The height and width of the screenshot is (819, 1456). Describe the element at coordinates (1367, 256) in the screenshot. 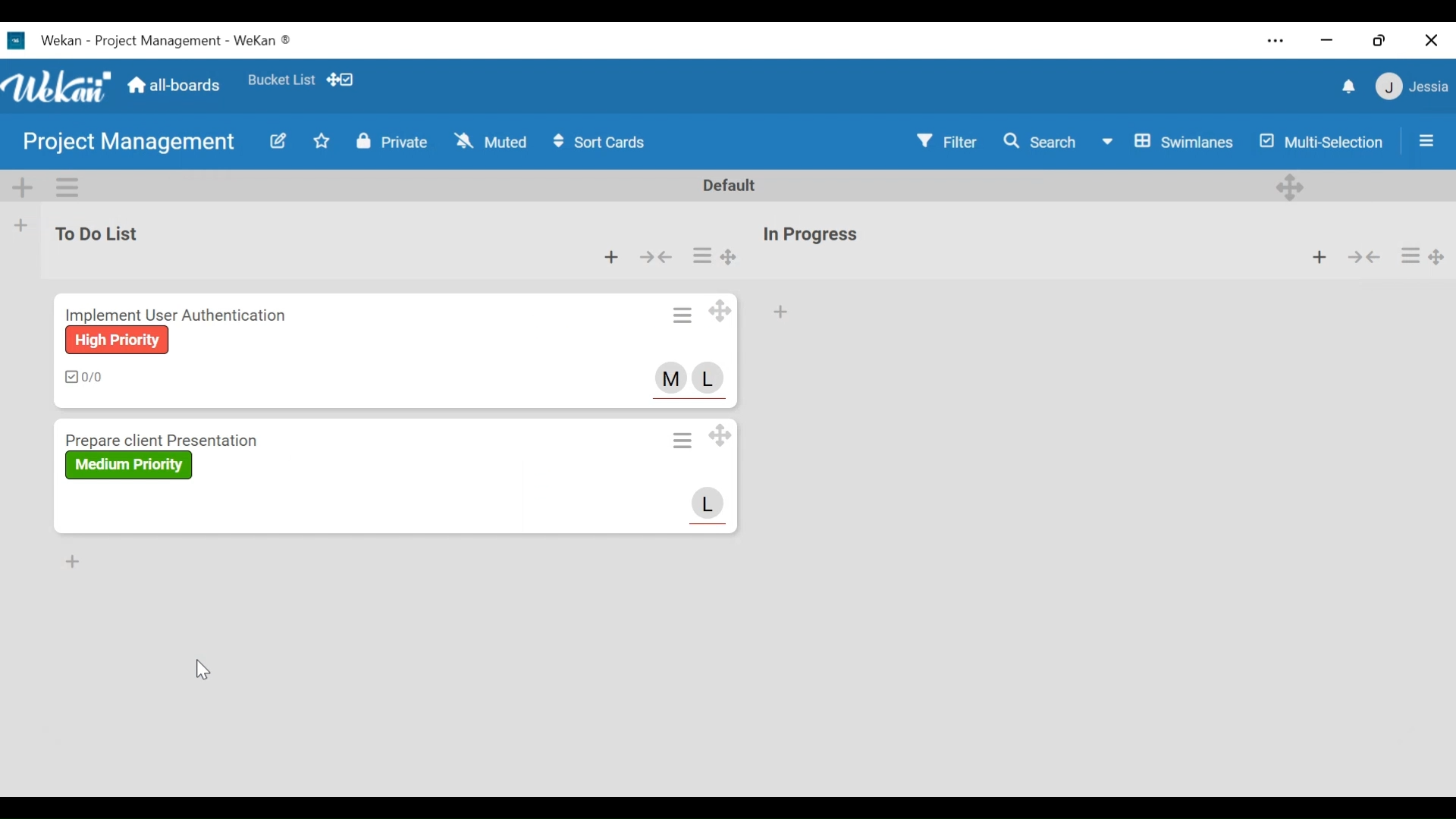

I see `collapse` at that location.